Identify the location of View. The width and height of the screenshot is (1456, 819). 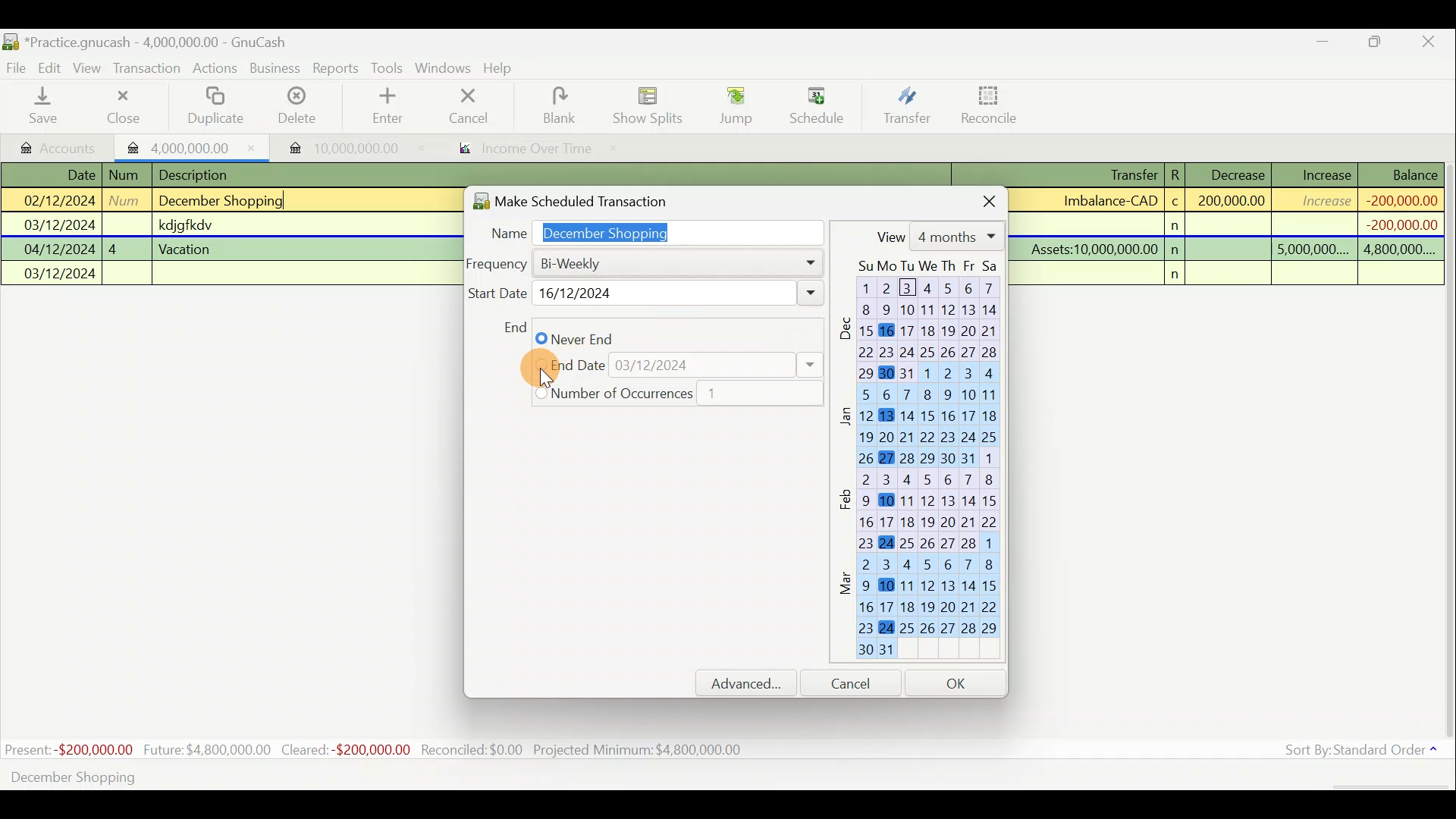
(937, 236).